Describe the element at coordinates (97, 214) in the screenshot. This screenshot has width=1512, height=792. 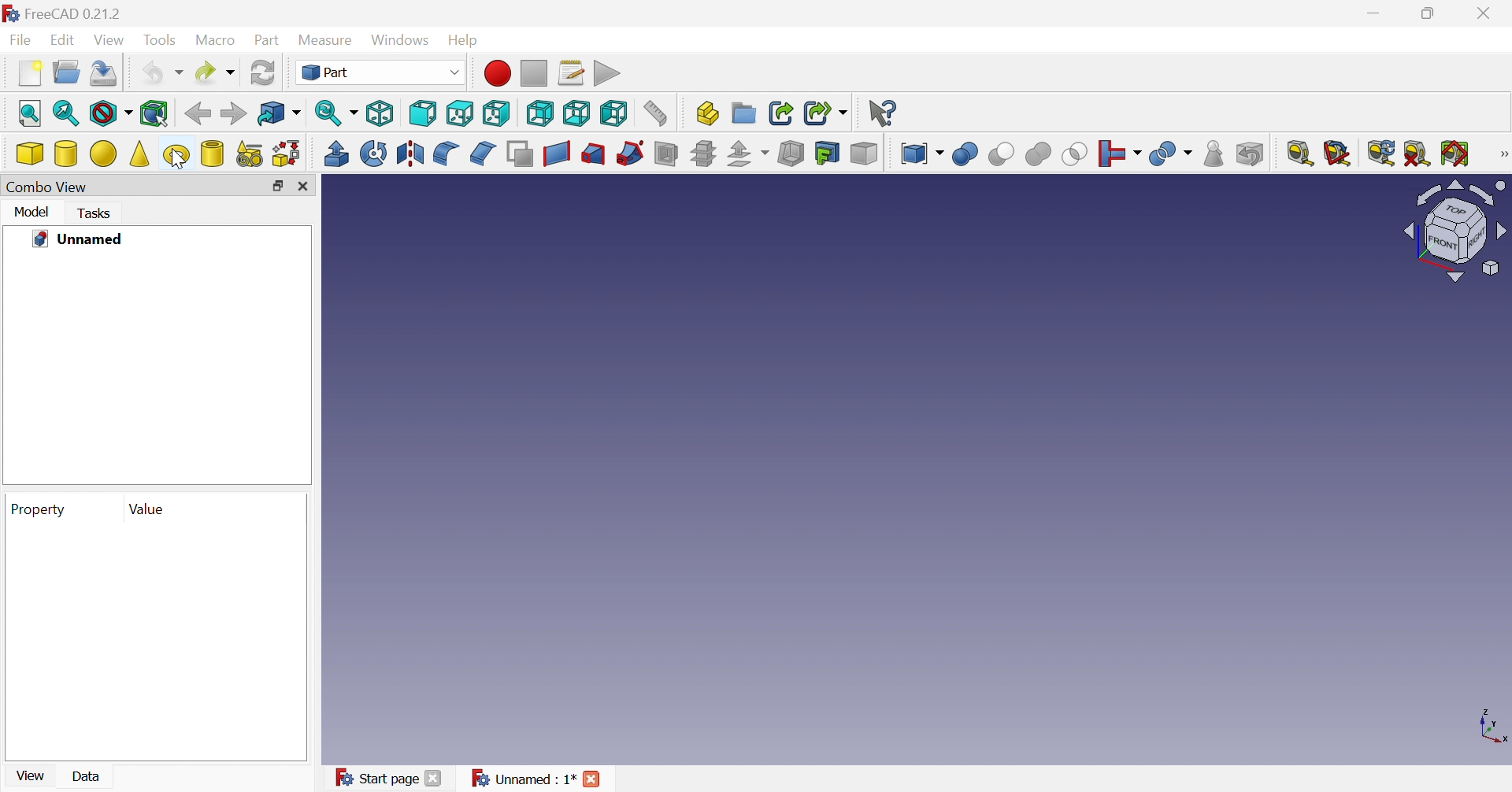
I see `Tasks` at that location.